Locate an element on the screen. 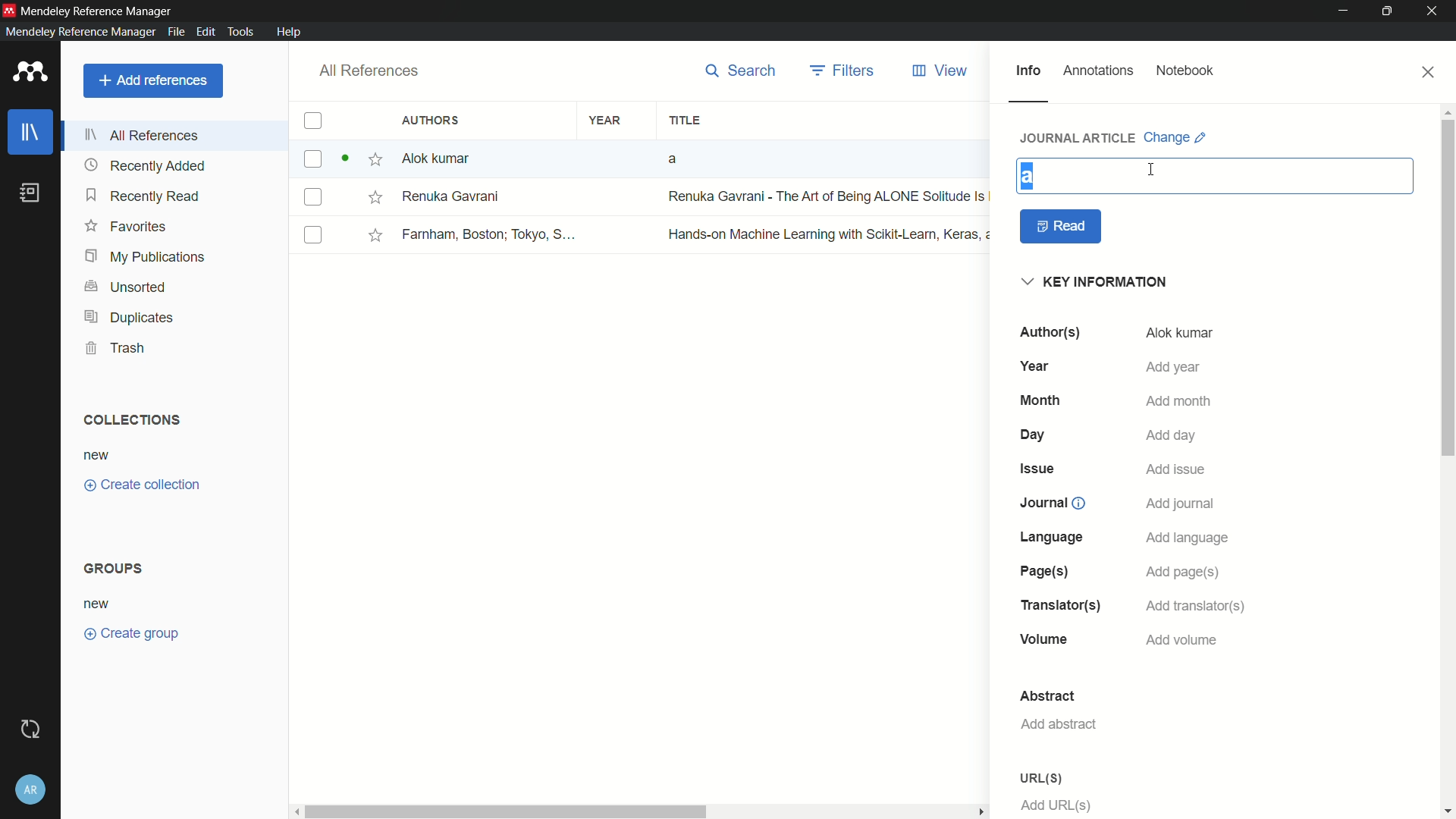  annotations is located at coordinates (1099, 71).